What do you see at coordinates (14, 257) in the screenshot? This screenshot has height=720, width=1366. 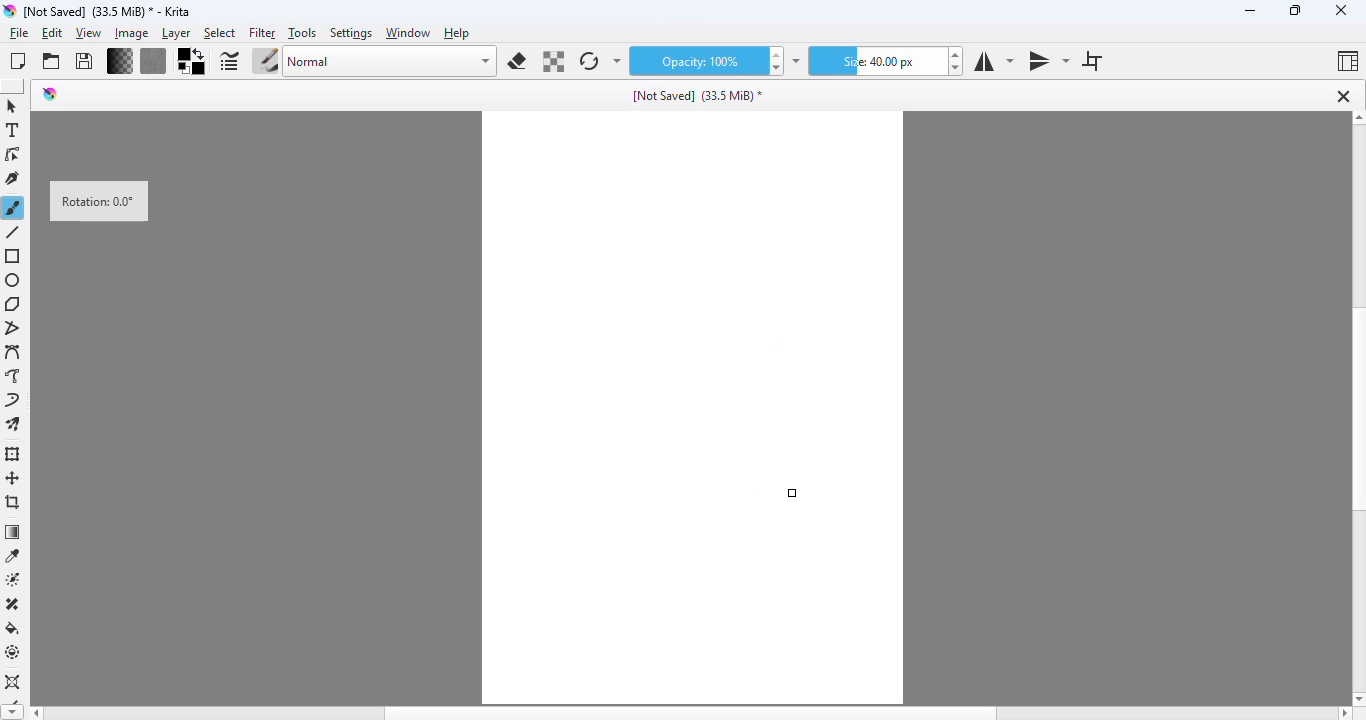 I see `rectangle tool` at bounding box center [14, 257].